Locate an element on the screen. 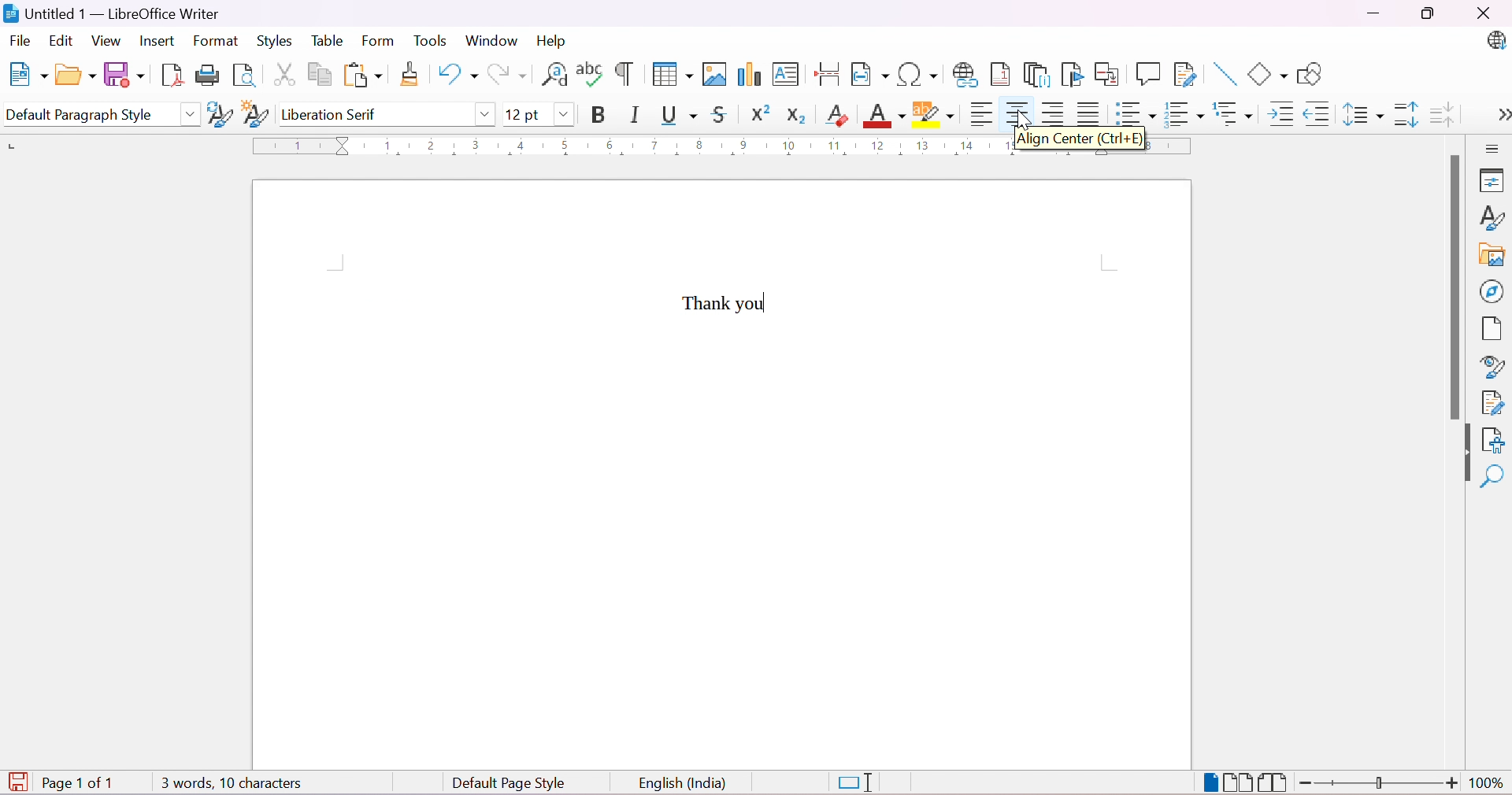 This screenshot has width=1512, height=795. More is located at coordinates (1503, 113).